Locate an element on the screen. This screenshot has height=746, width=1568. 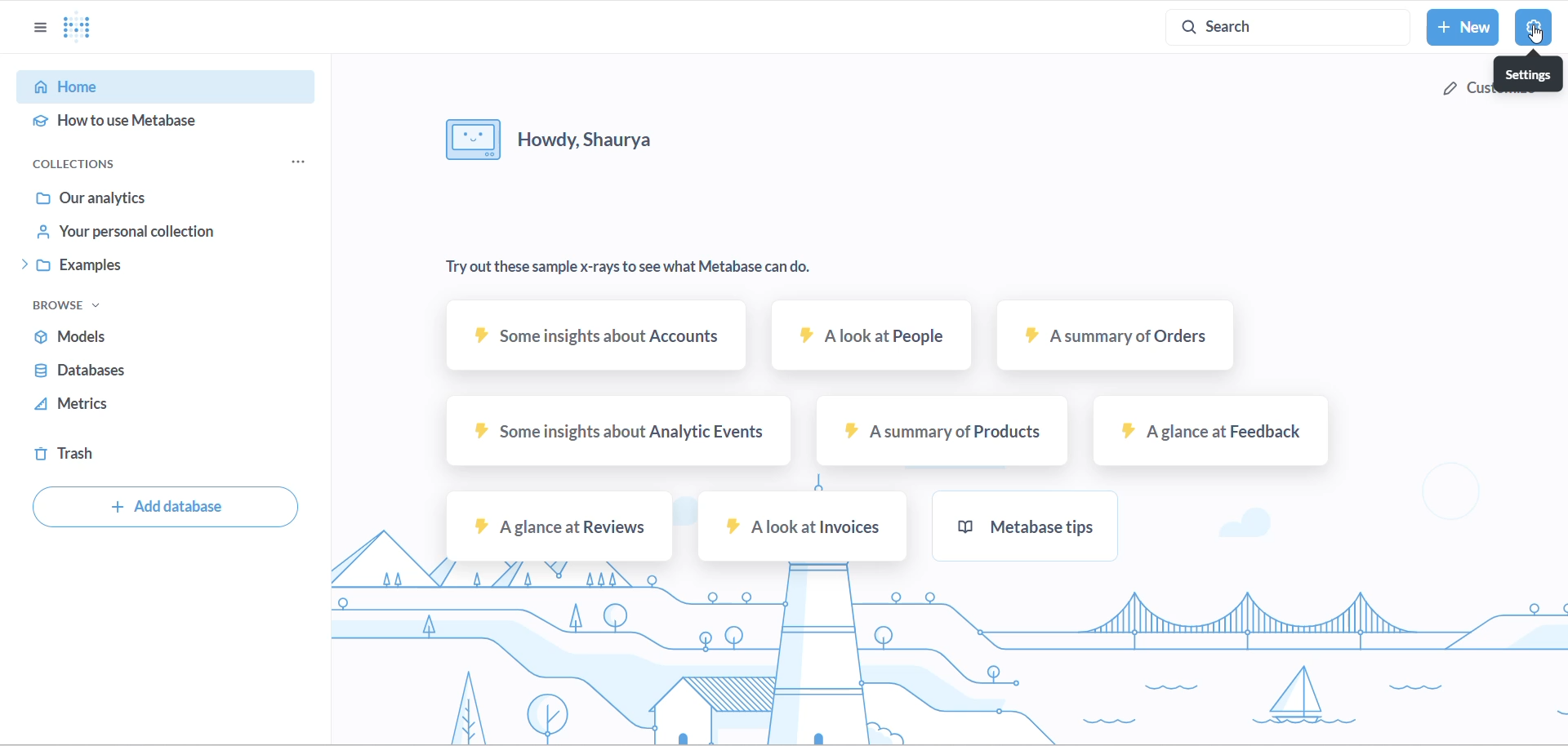
COLLECTIONS is located at coordinates (96, 167).